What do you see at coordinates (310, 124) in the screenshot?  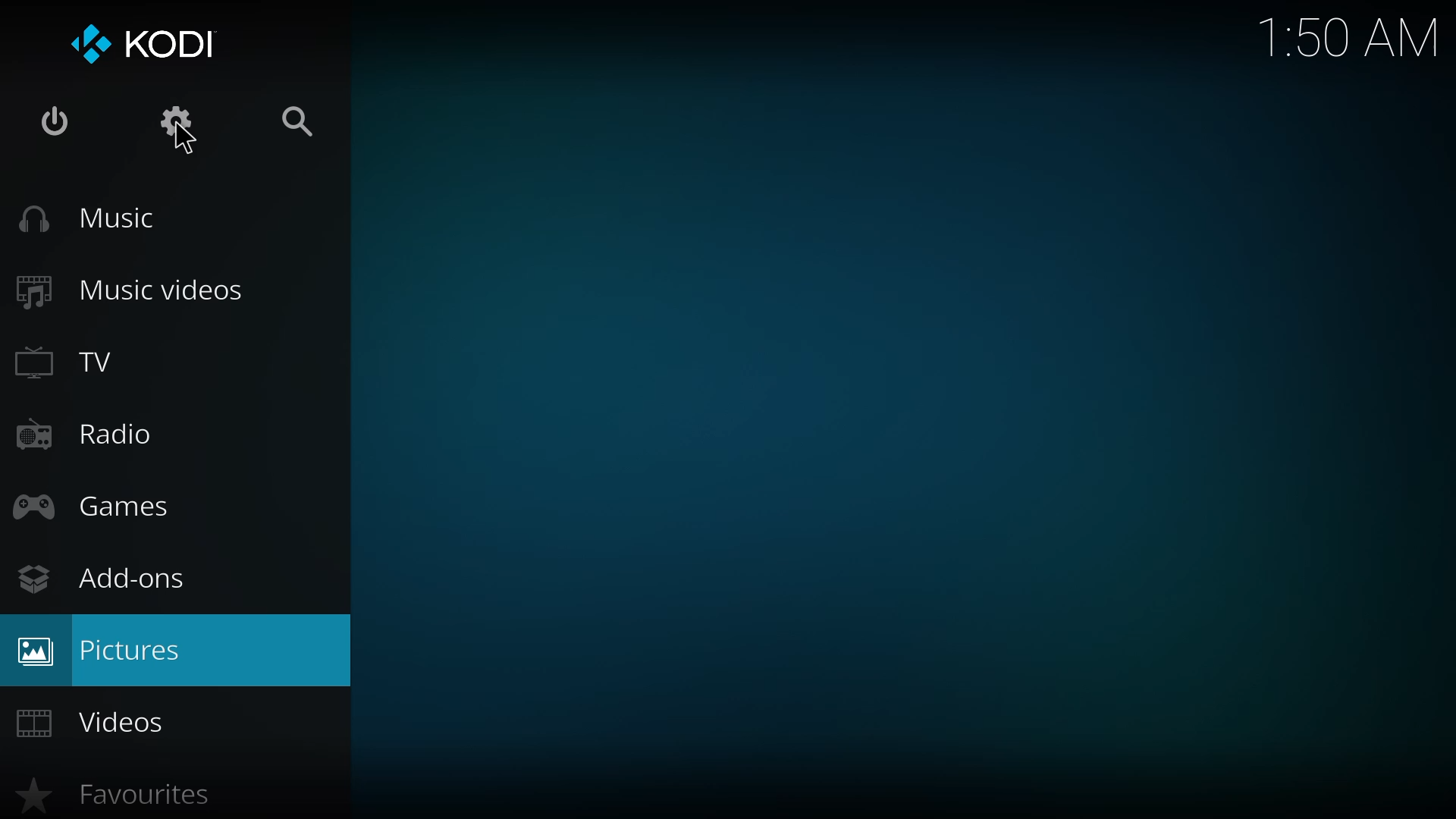 I see `search` at bounding box center [310, 124].